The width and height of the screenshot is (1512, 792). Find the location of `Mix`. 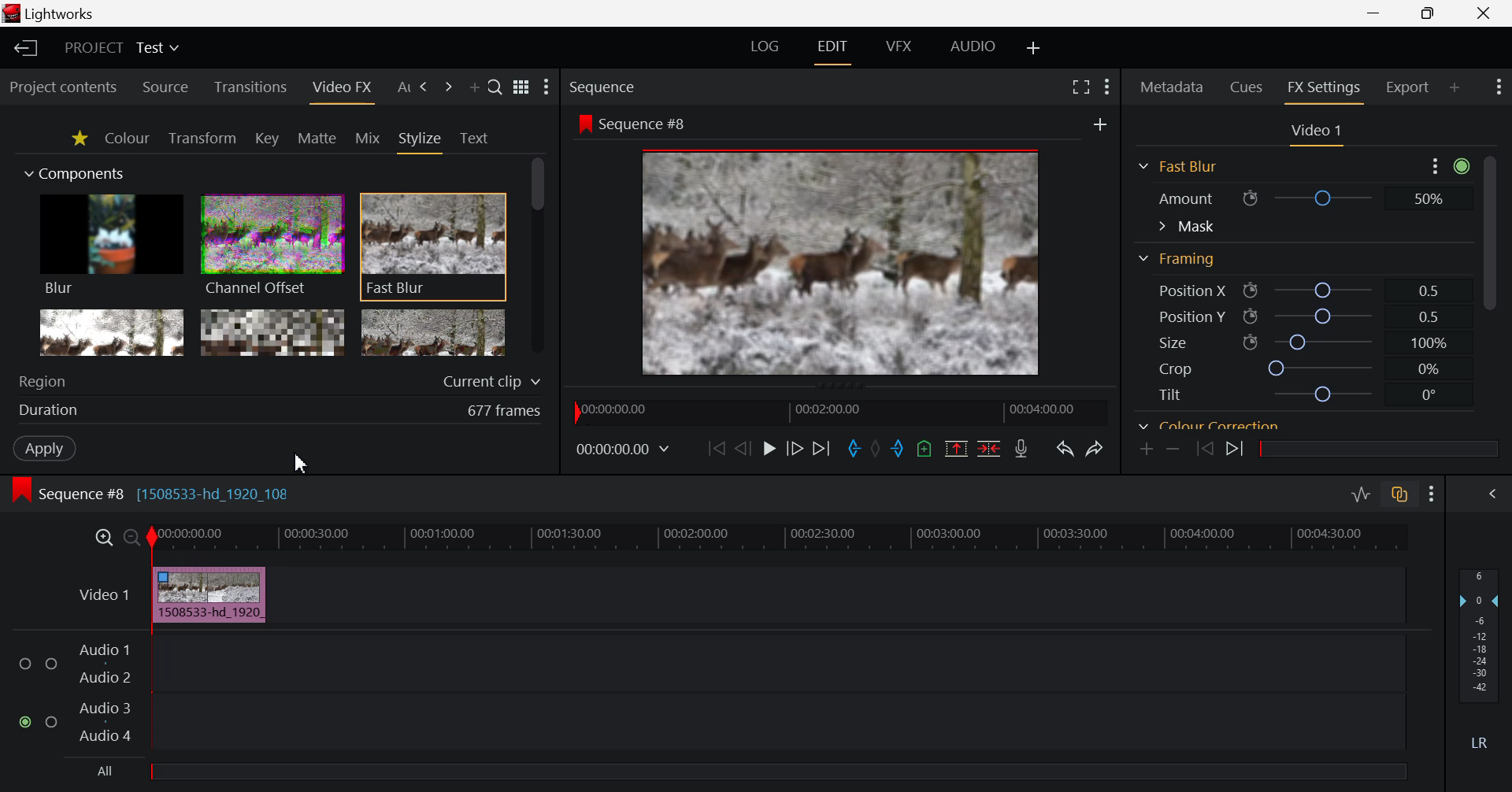

Mix is located at coordinates (367, 138).